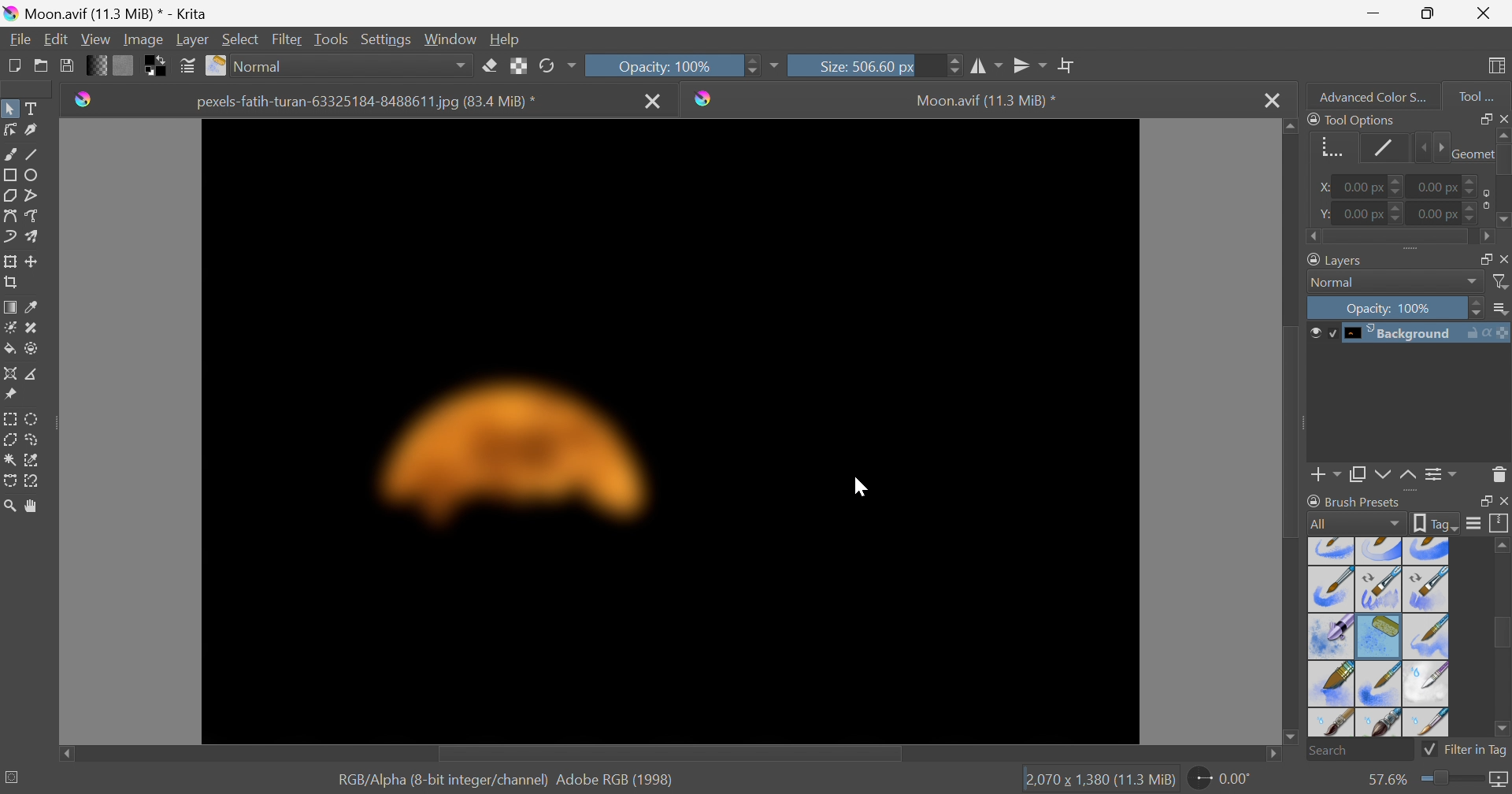 Image resolution: width=1512 pixels, height=794 pixels. Describe the element at coordinates (667, 755) in the screenshot. I see `Scroll bar` at that location.